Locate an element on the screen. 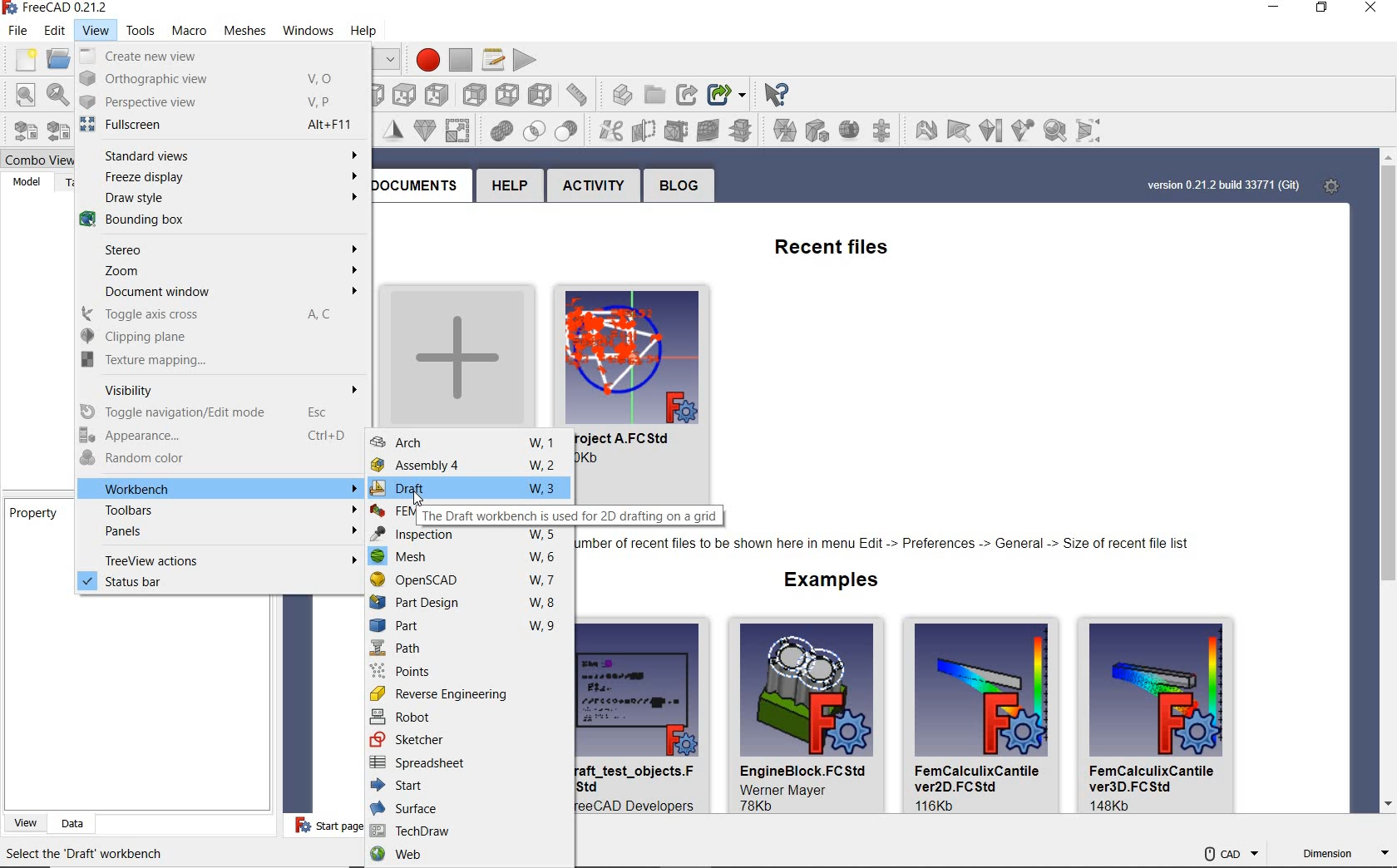  create mesh segments is located at coordinates (816, 131).